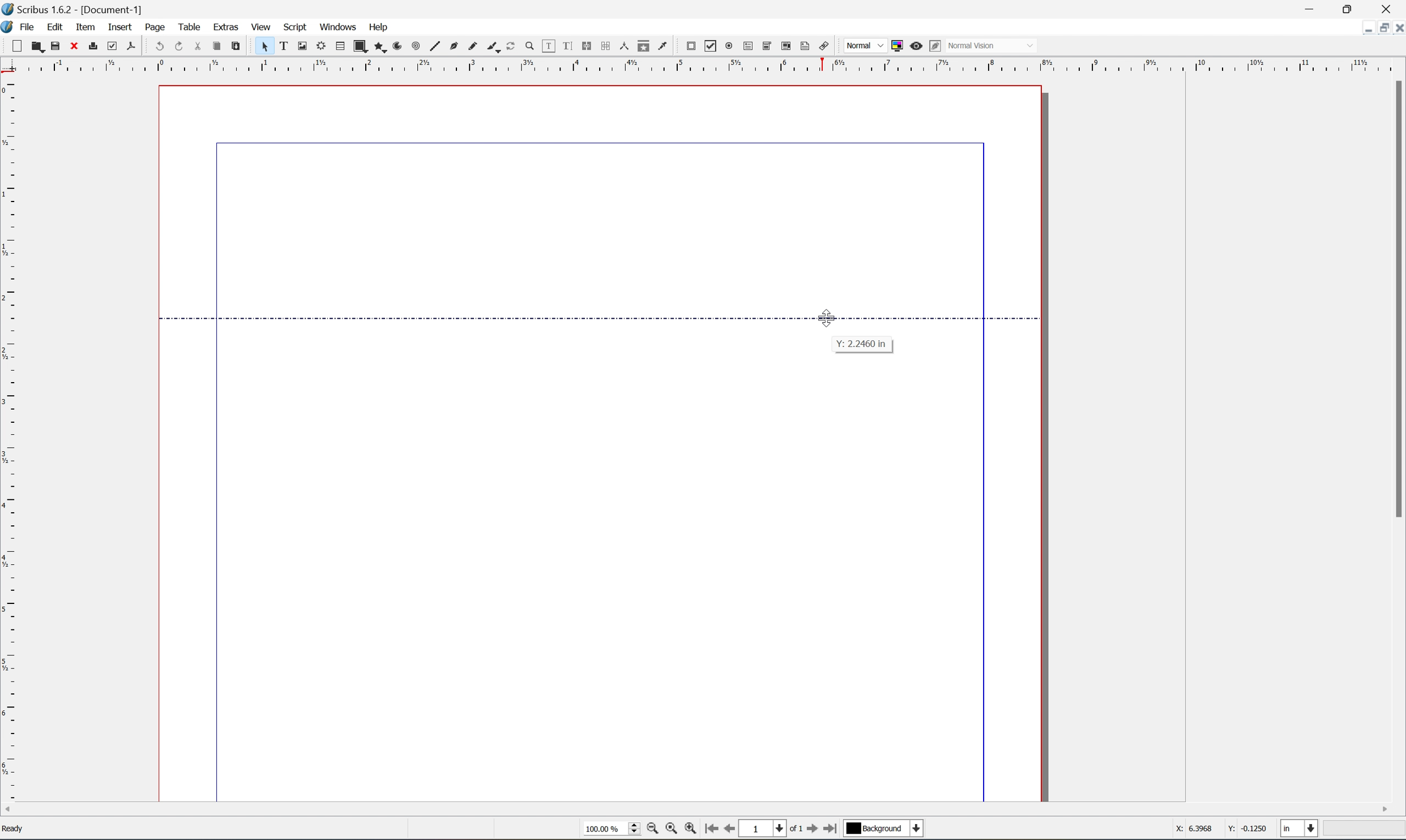  What do you see at coordinates (494, 46) in the screenshot?
I see `calligraphic line` at bounding box center [494, 46].